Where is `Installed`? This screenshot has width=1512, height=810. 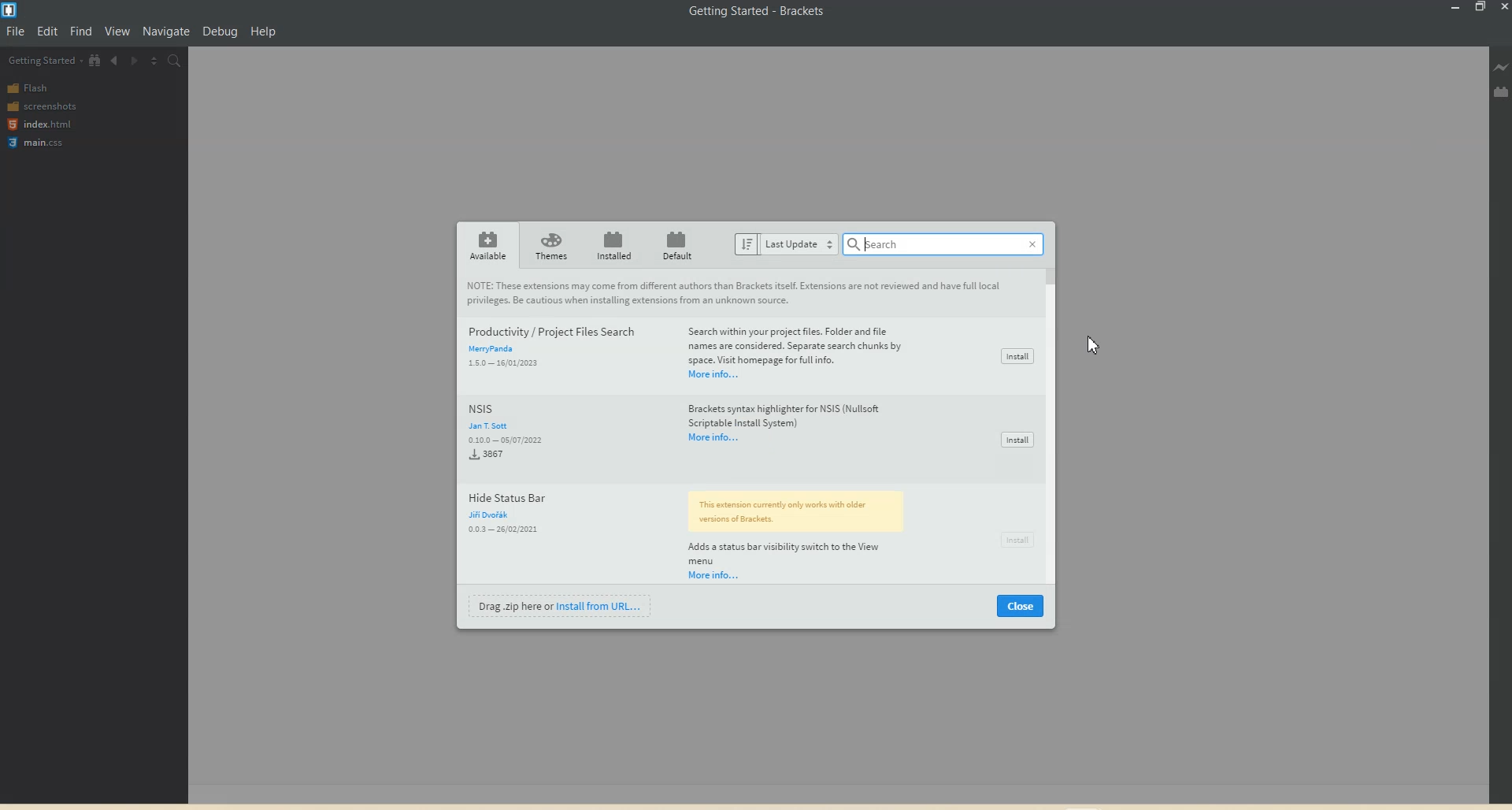
Installed is located at coordinates (613, 245).